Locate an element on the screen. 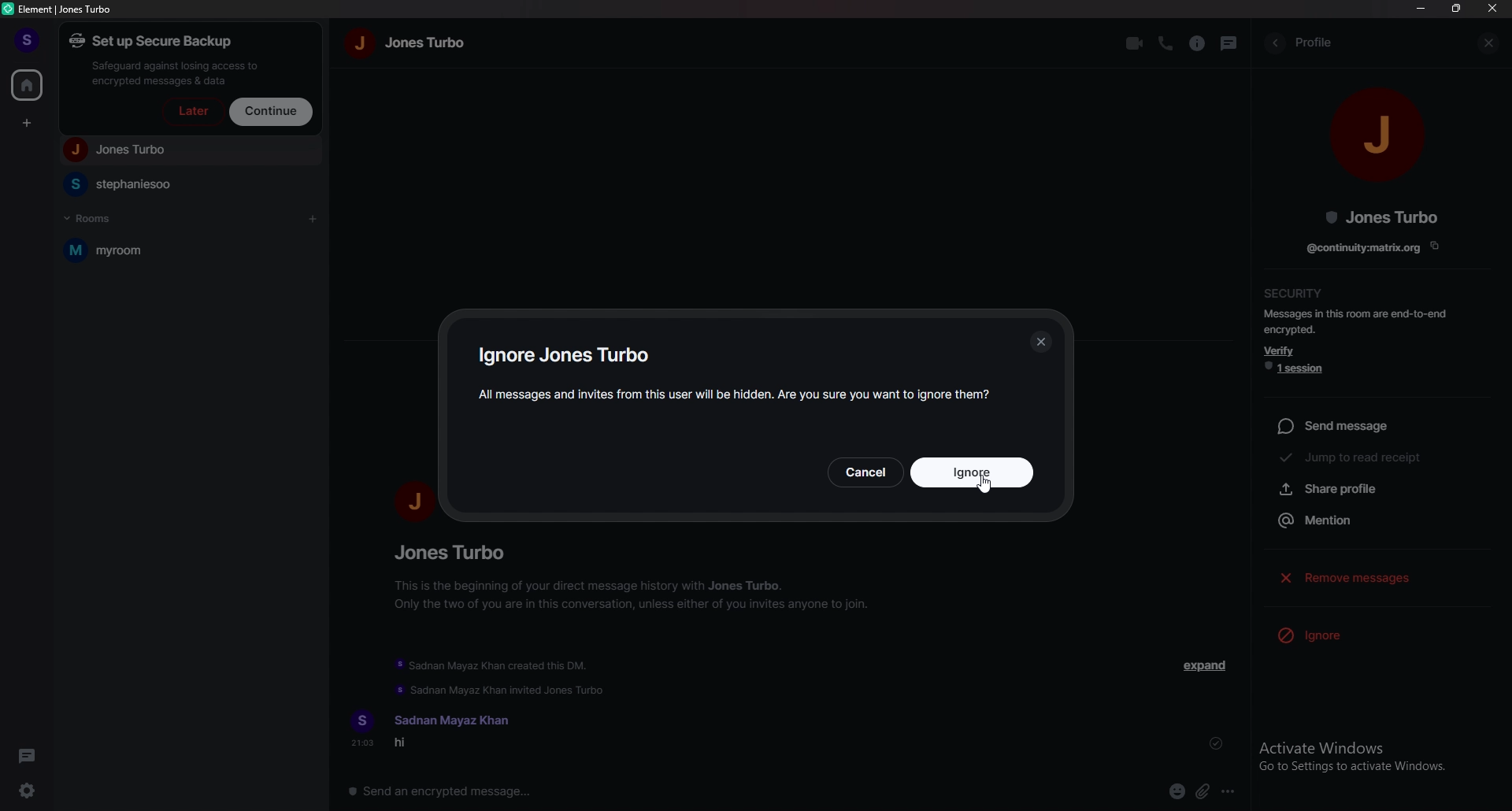 Image resolution: width=1512 pixels, height=811 pixels. verify is located at coordinates (1281, 350).